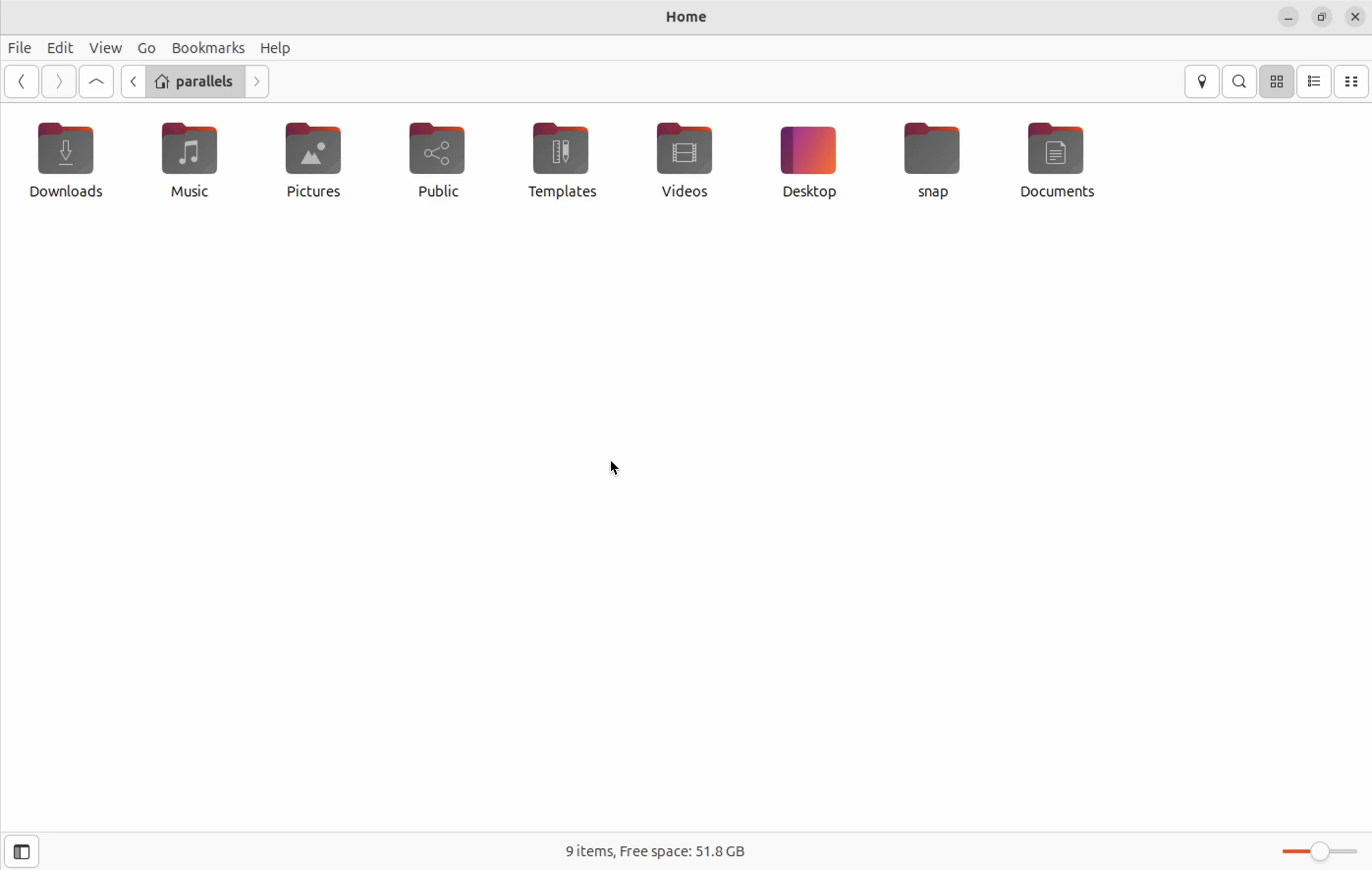 Image resolution: width=1372 pixels, height=870 pixels. Describe the element at coordinates (558, 160) in the screenshot. I see `templates` at that location.